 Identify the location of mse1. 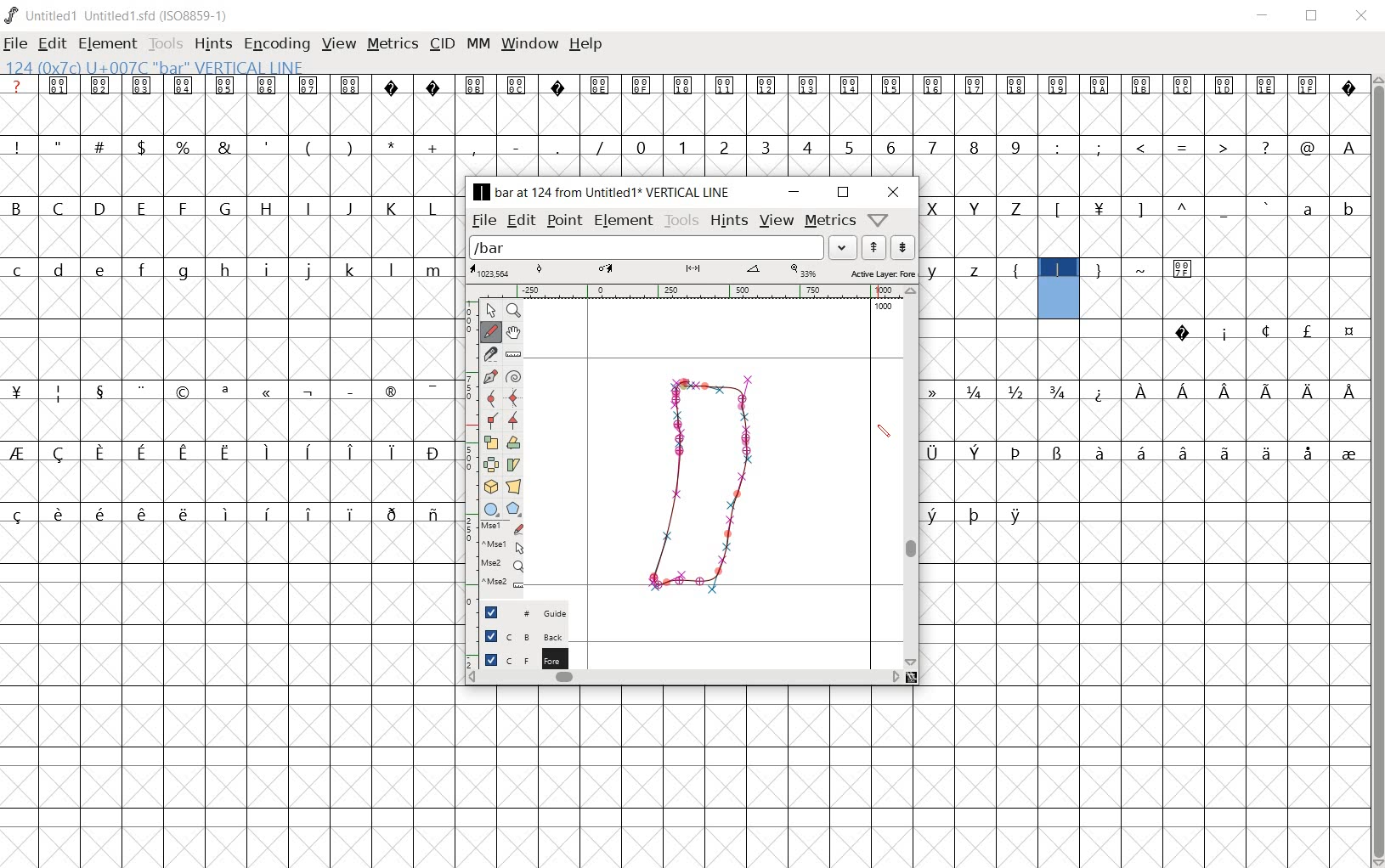
(500, 546).